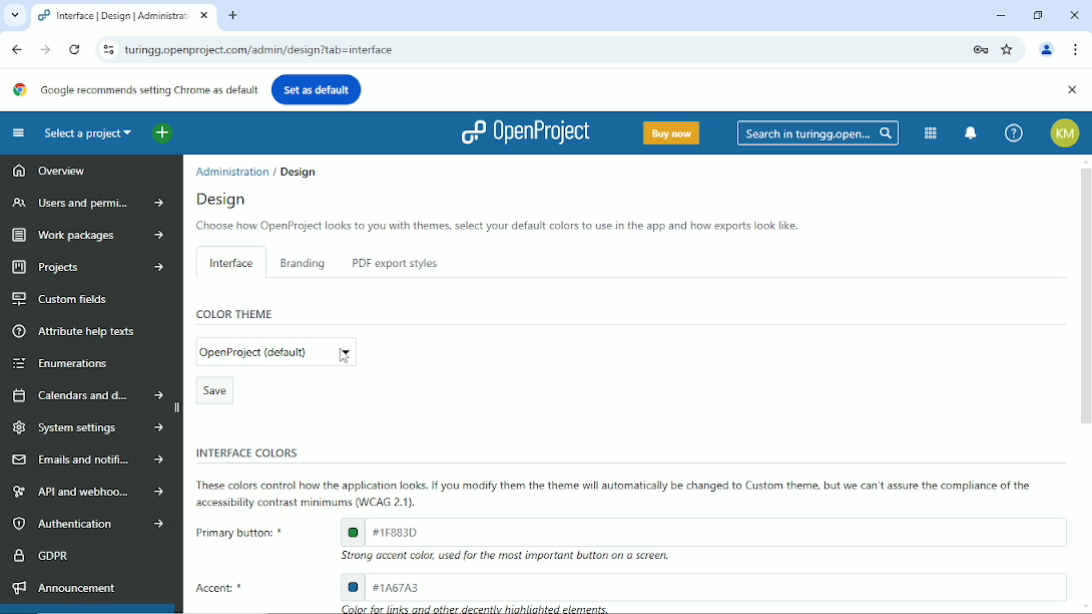 Image resolution: width=1092 pixels, height=614 pixels. I want to click on Branding, so click(303, 263).